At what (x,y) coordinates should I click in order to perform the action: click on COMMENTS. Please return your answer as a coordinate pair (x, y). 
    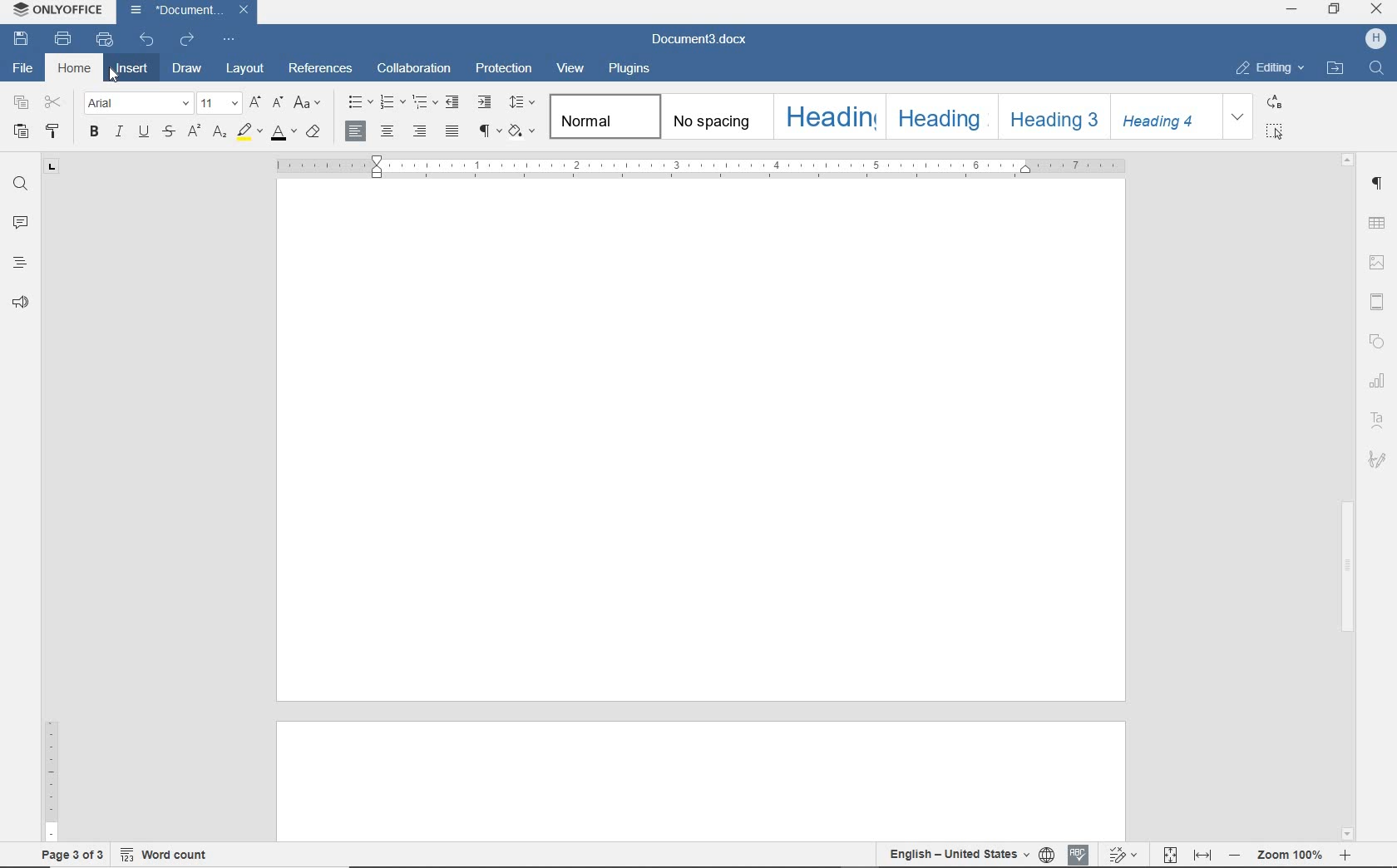
    Looking at the image, I should click on (20, 221).